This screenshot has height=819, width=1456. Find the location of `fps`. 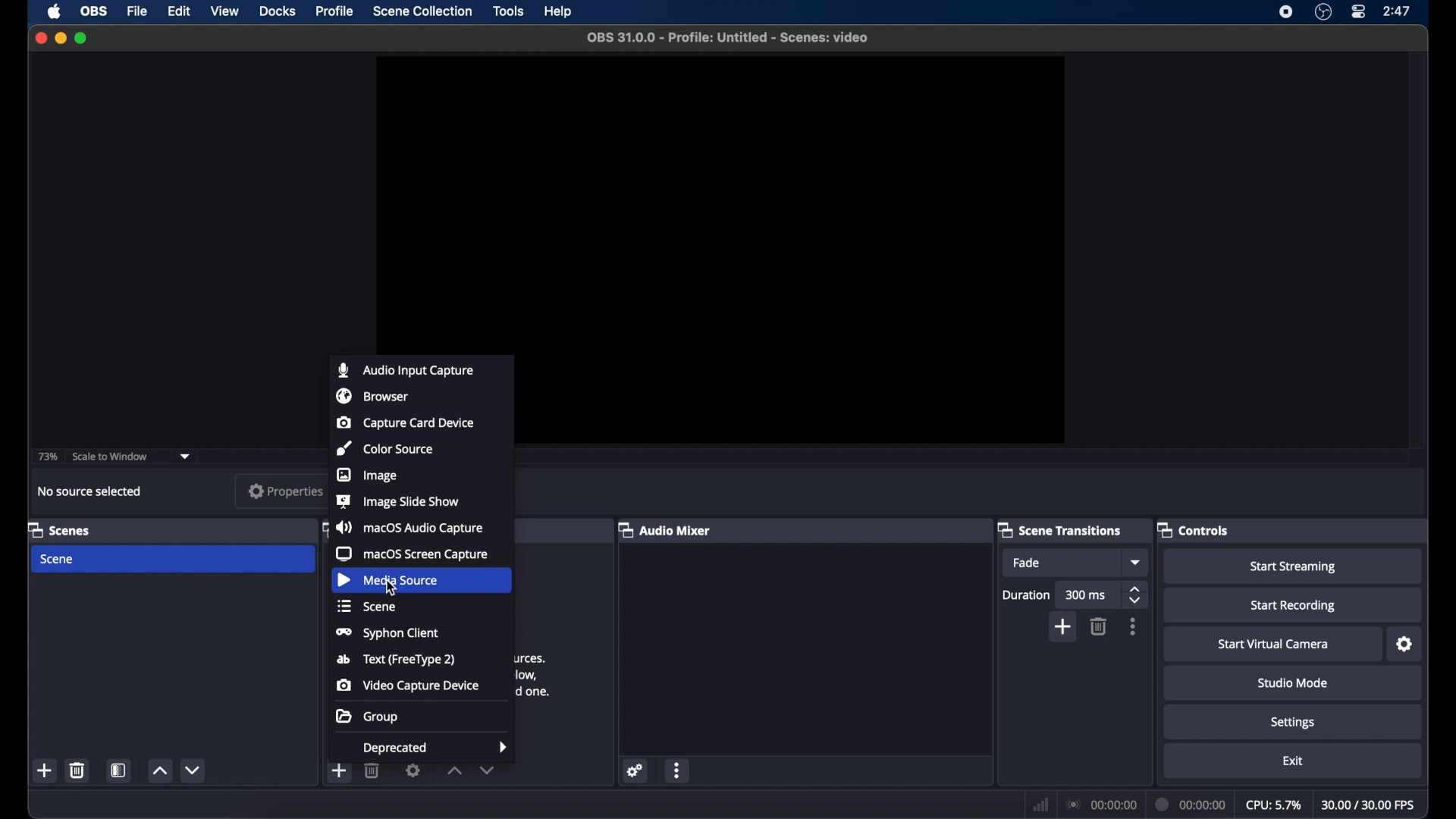

fps is located at coordinates (1368, 804).